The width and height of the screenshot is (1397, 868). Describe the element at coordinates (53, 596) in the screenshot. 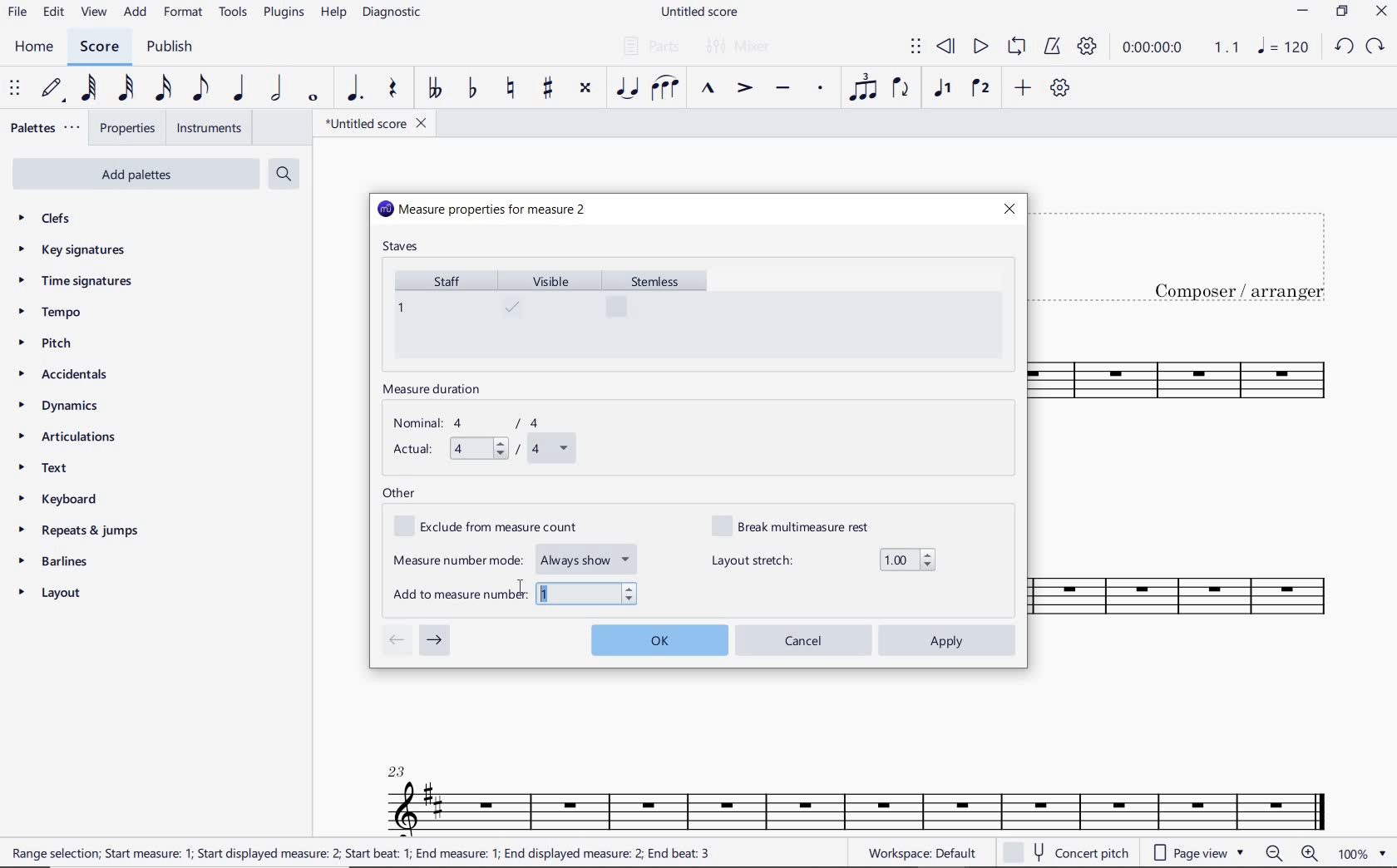

I see `LAYOUT` at that location.